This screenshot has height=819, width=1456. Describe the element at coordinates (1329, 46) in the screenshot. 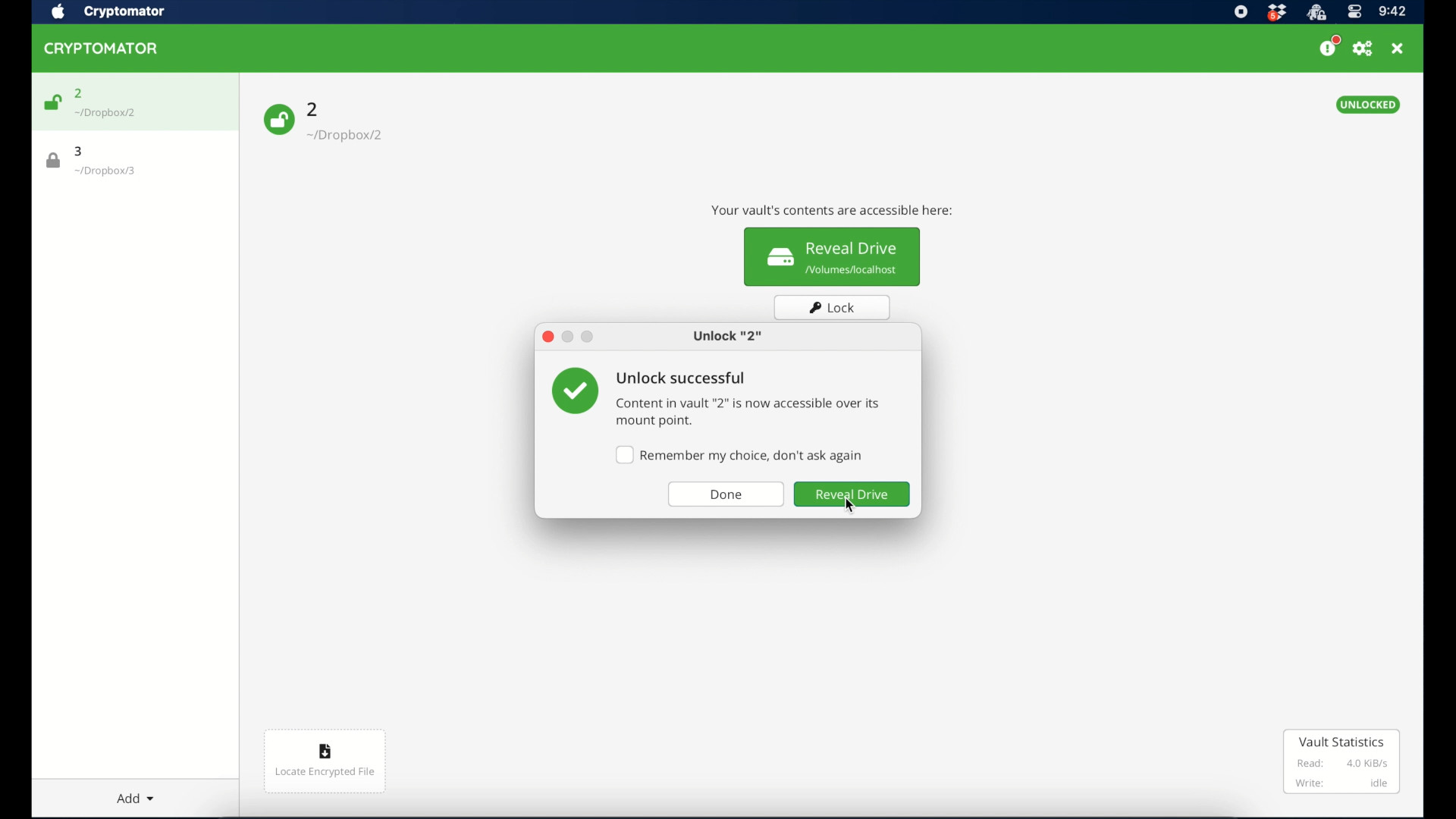

I see `support us` at that location.